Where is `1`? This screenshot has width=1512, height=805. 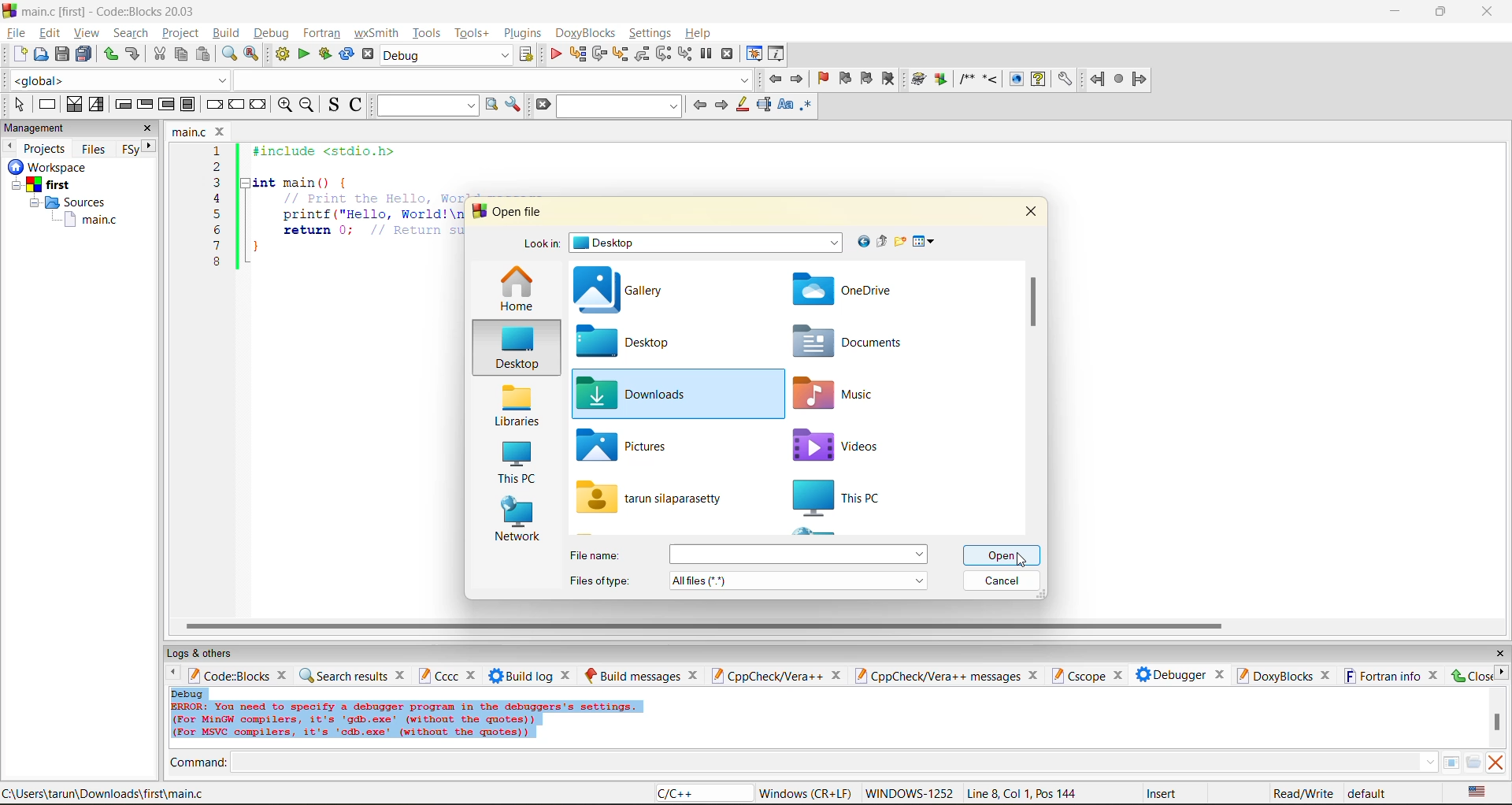
1 is located at coordinates (219, 151).